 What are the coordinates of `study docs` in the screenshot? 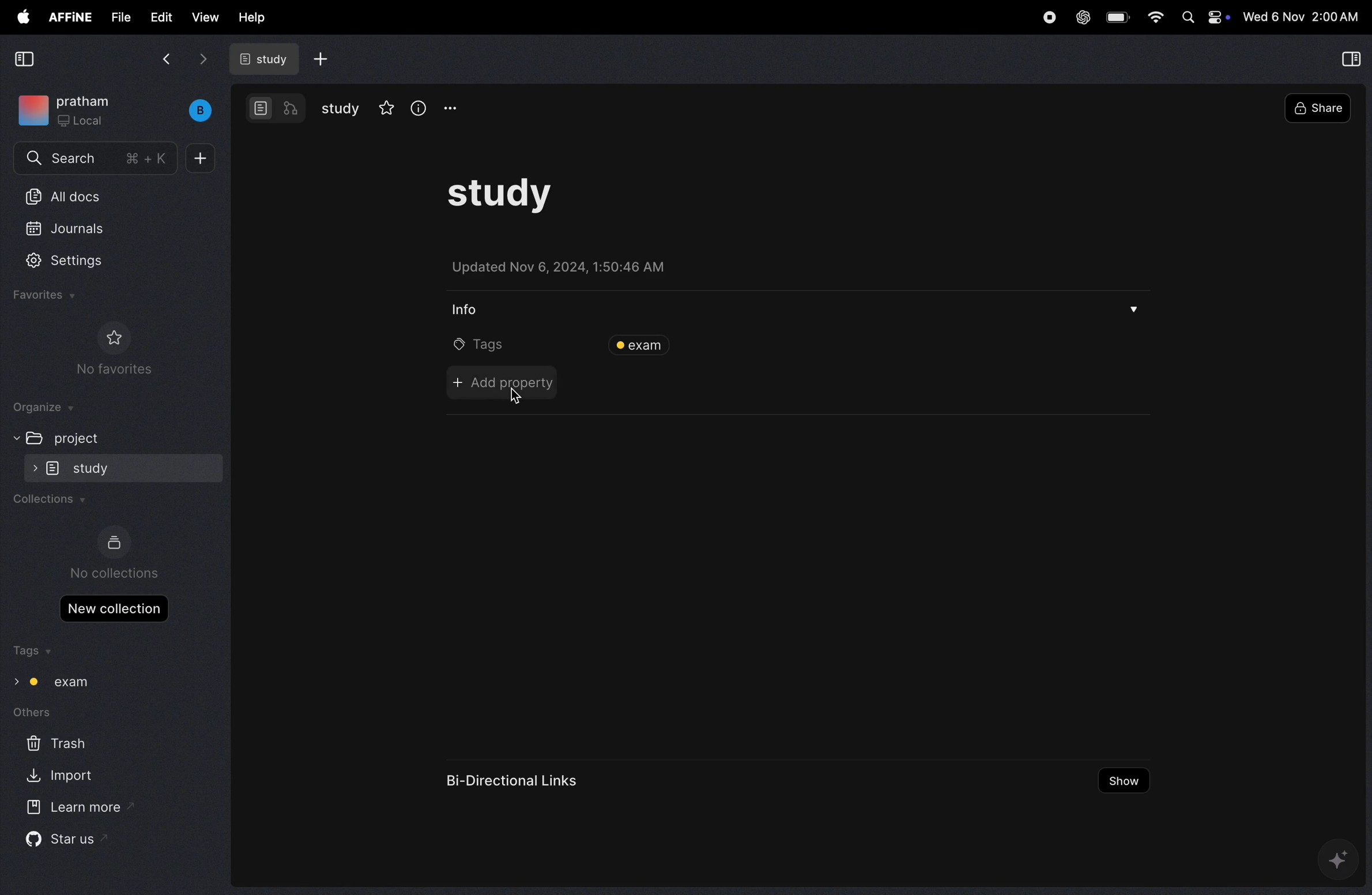 It's located at (261, 59).